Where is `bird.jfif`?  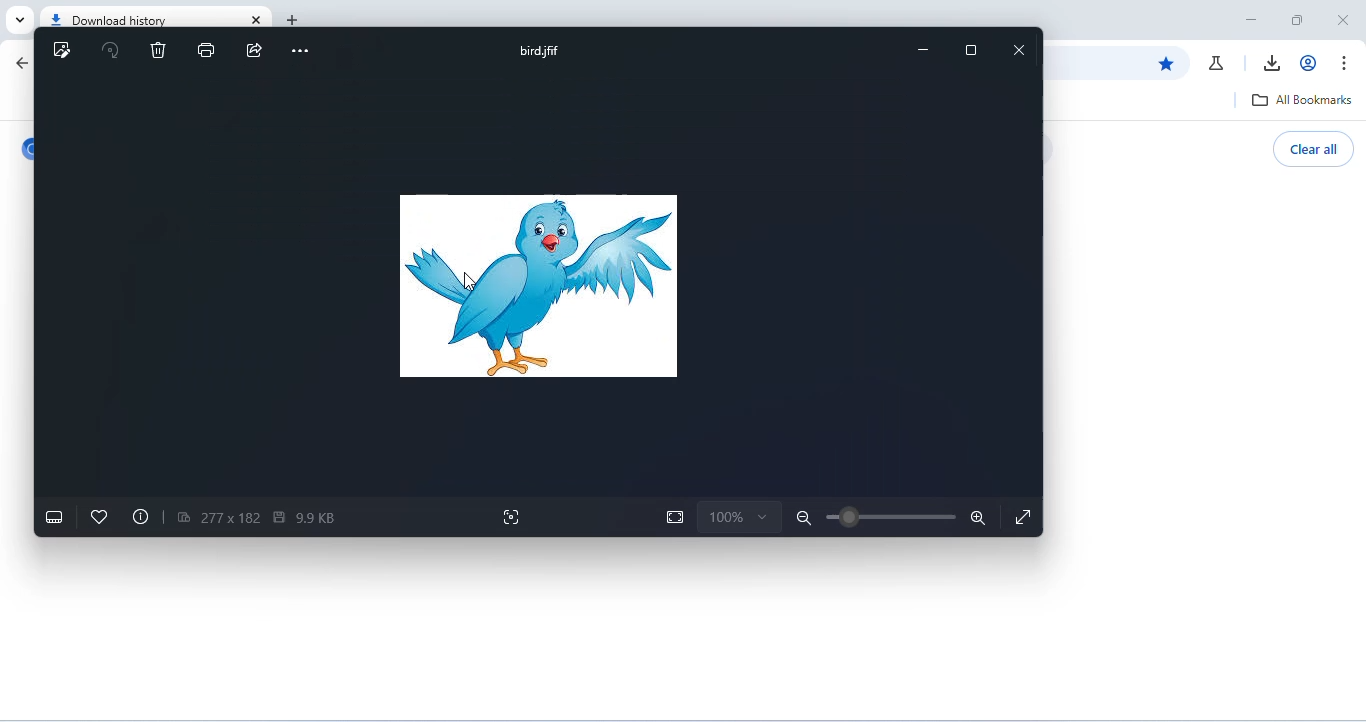 bird.jfif is located at coordinates (544, 51).